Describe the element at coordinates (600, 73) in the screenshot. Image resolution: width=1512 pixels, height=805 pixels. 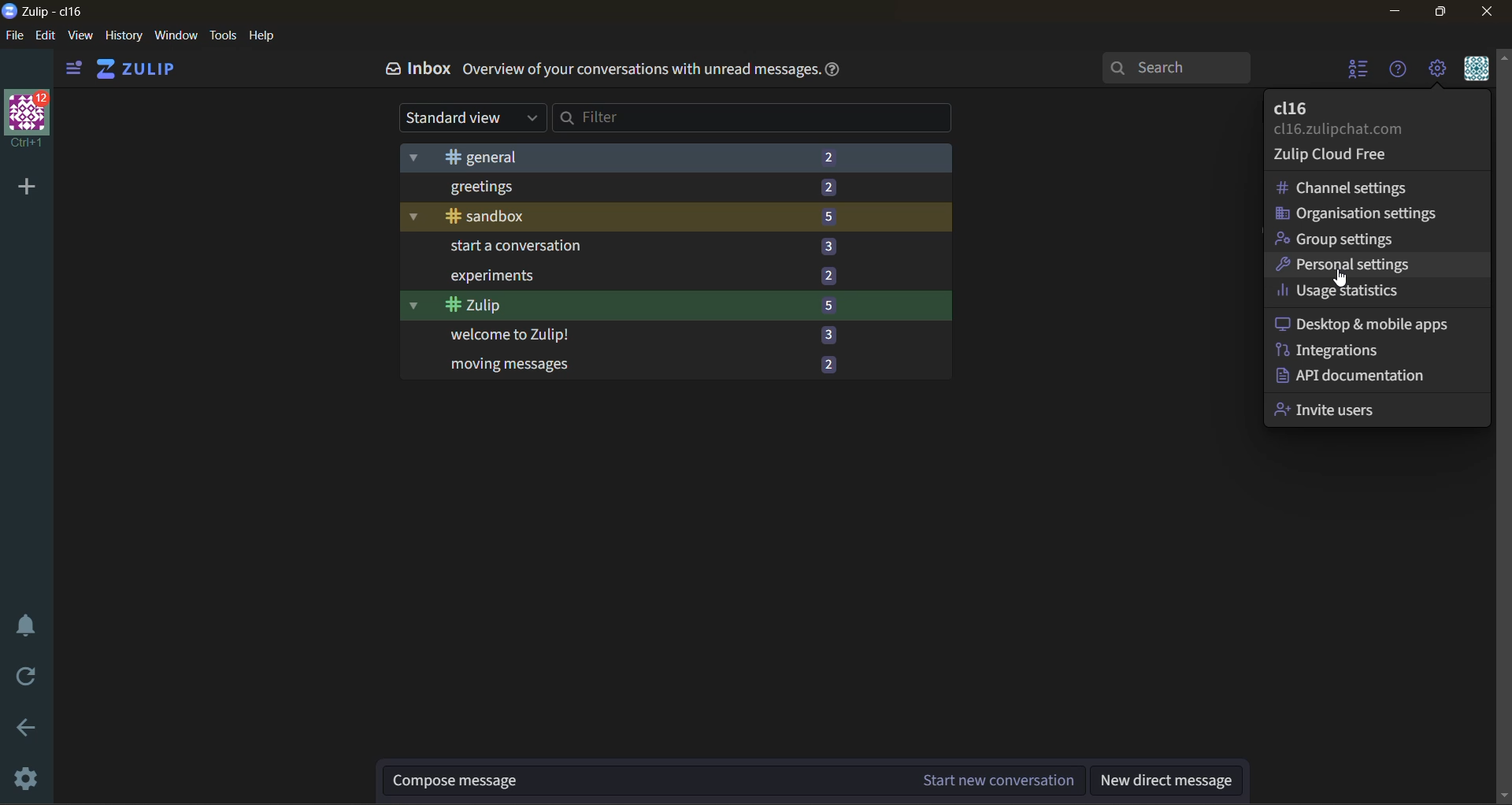
I see `Inbox overview of your conversation with unread messages` at that location.